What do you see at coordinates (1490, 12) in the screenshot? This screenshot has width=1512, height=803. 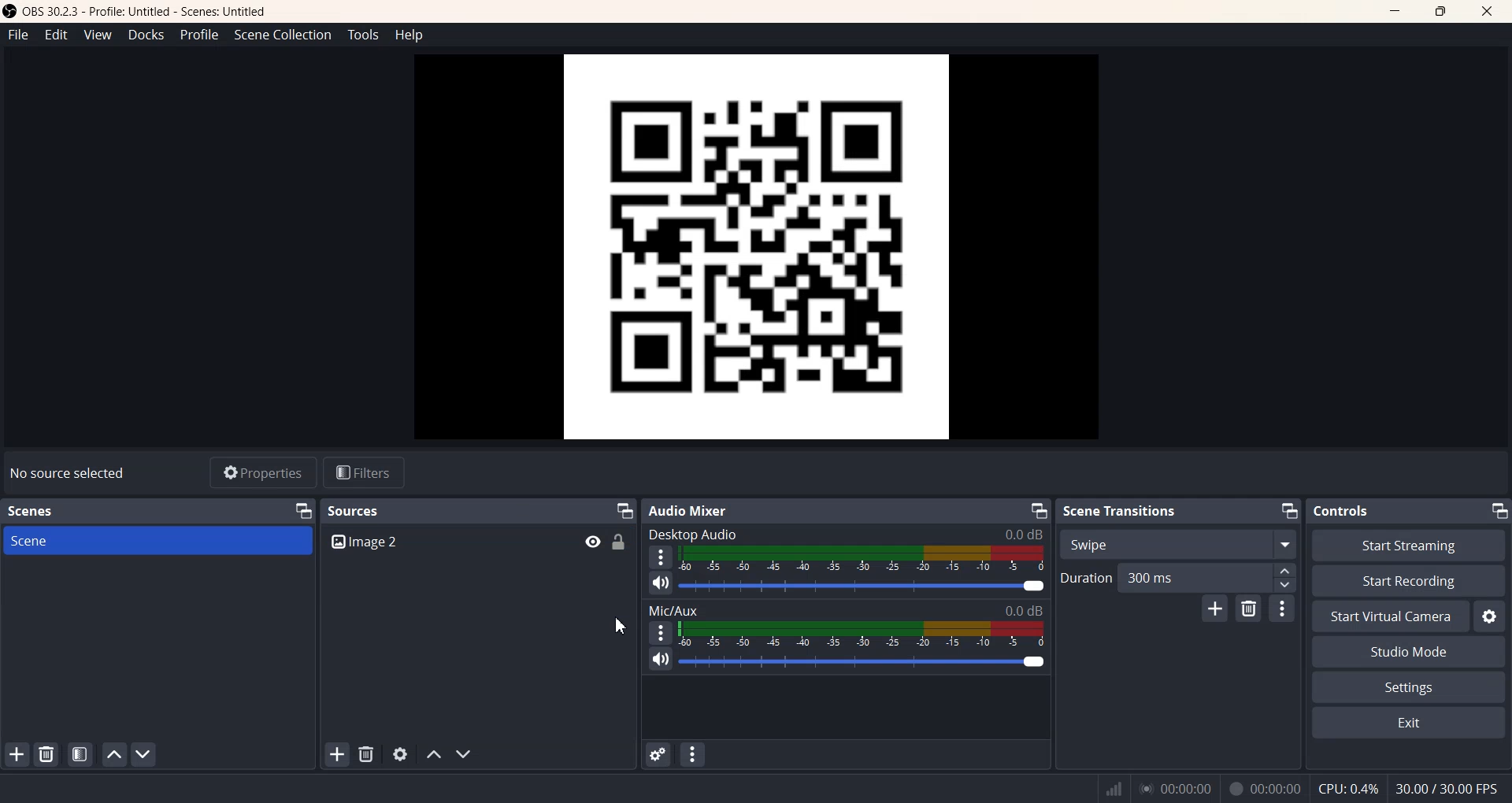 I see `Exit` at bounding box center [1490, 12].